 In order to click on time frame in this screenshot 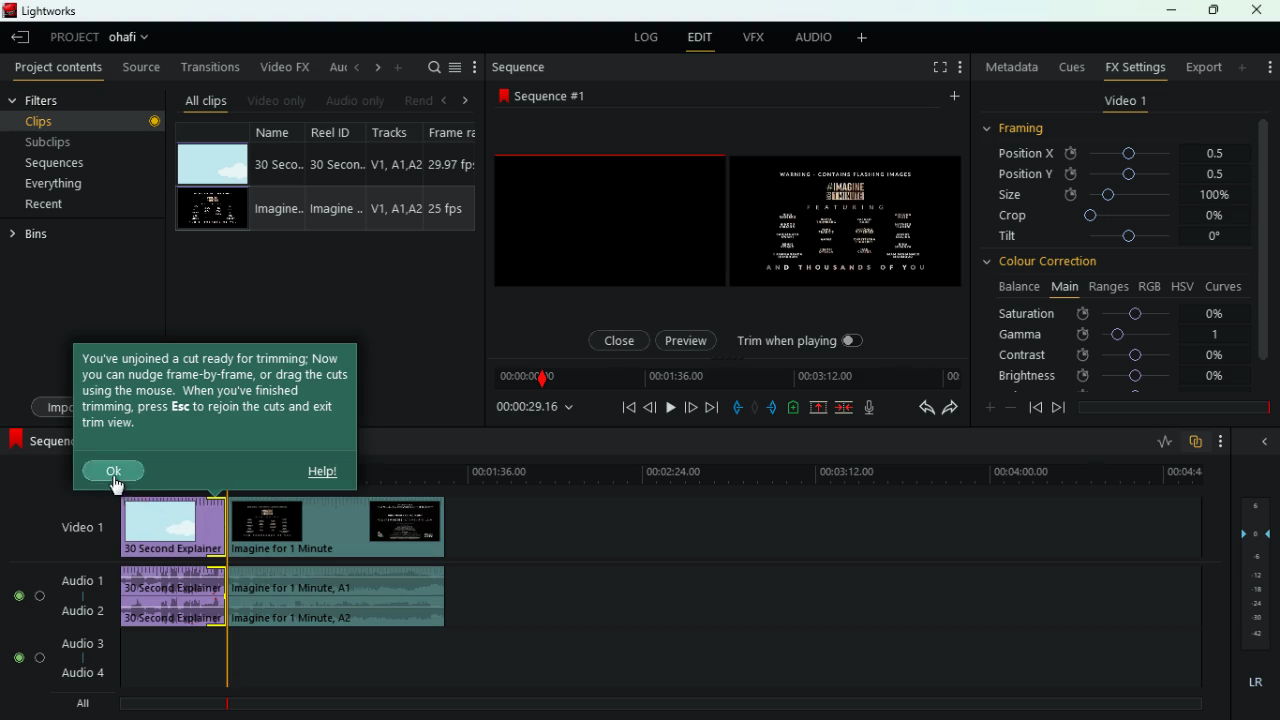, I will do `click(1174, 408)`.